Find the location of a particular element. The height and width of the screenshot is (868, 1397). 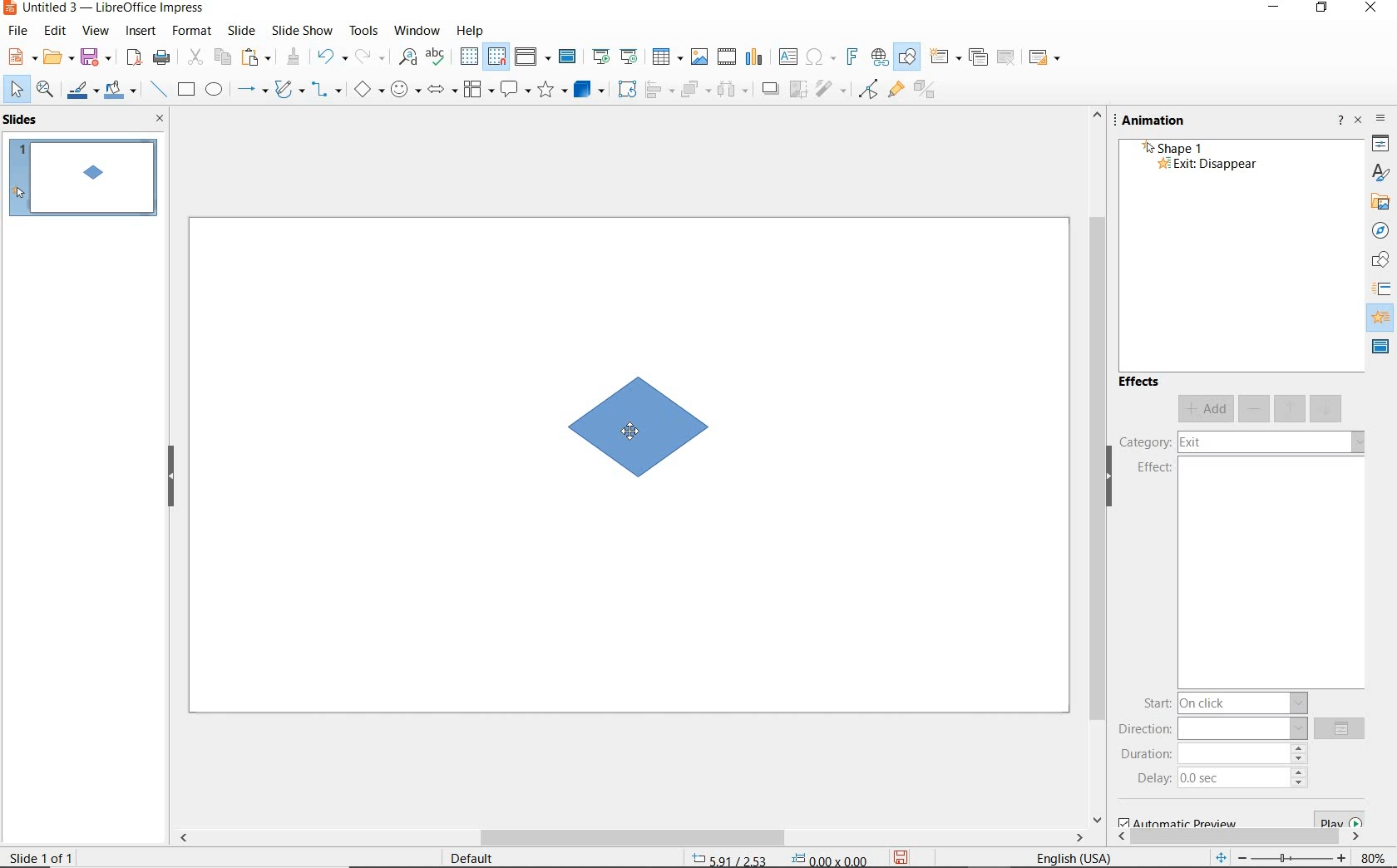

zoom factor is located at coordinates (1372, 856).